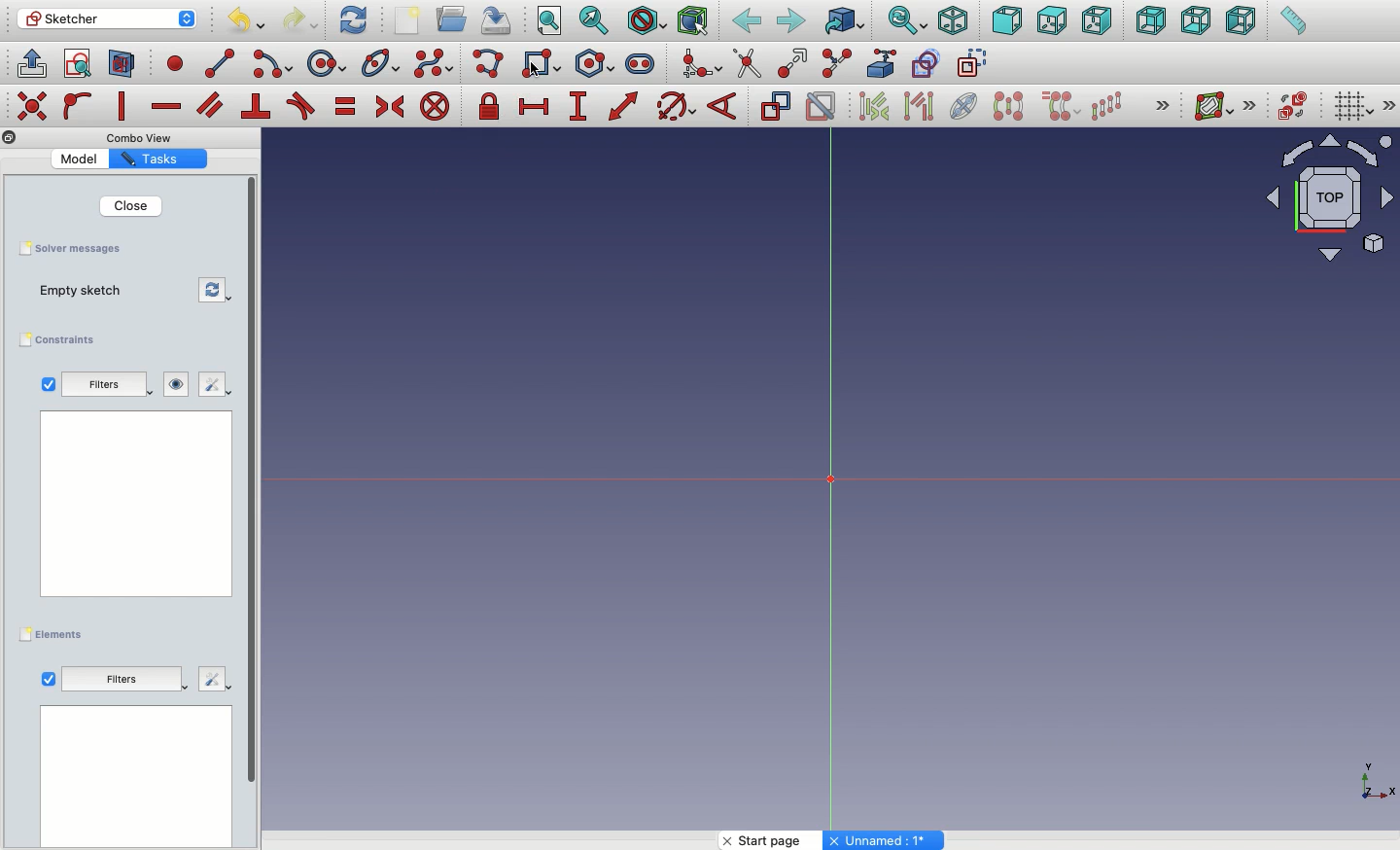 This screenshot has width=1400, height=850. What do you see at coordinates (642, 63) in the screenshot?
I see `Slot` at bounding box center [642, 63].